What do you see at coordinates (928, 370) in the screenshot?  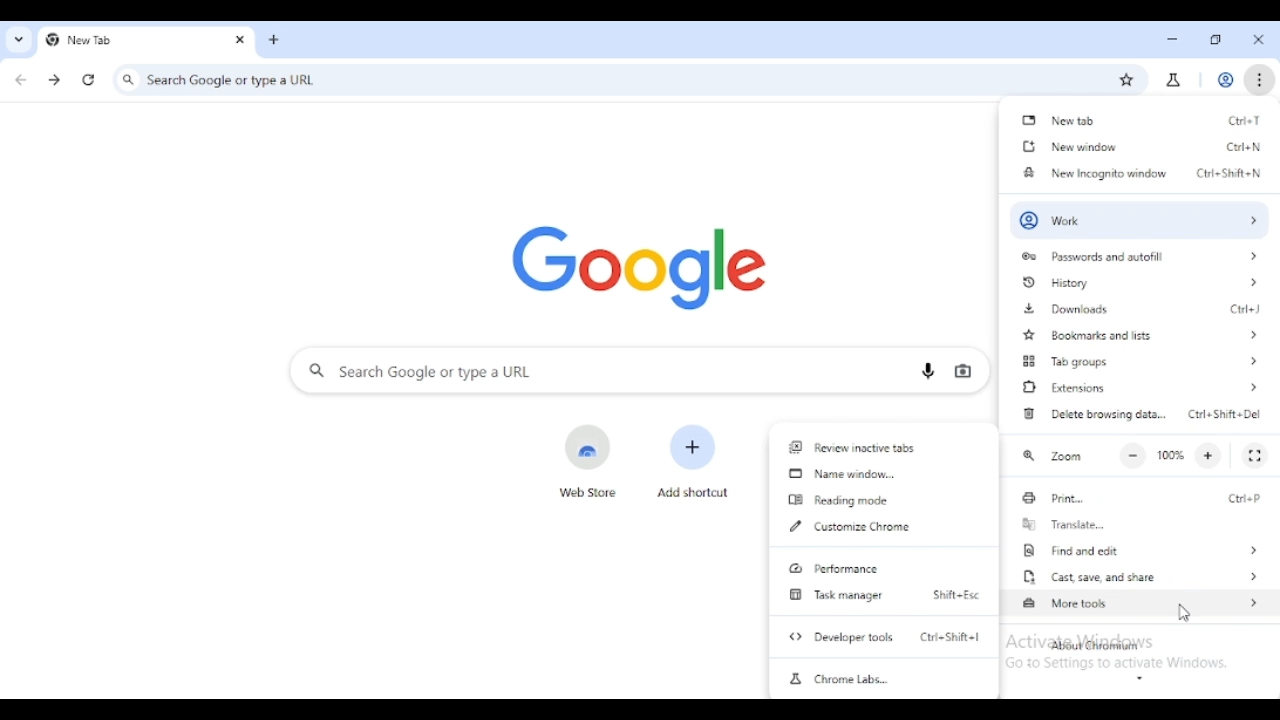 I see `search by voice` at bounding box center [928, 370].